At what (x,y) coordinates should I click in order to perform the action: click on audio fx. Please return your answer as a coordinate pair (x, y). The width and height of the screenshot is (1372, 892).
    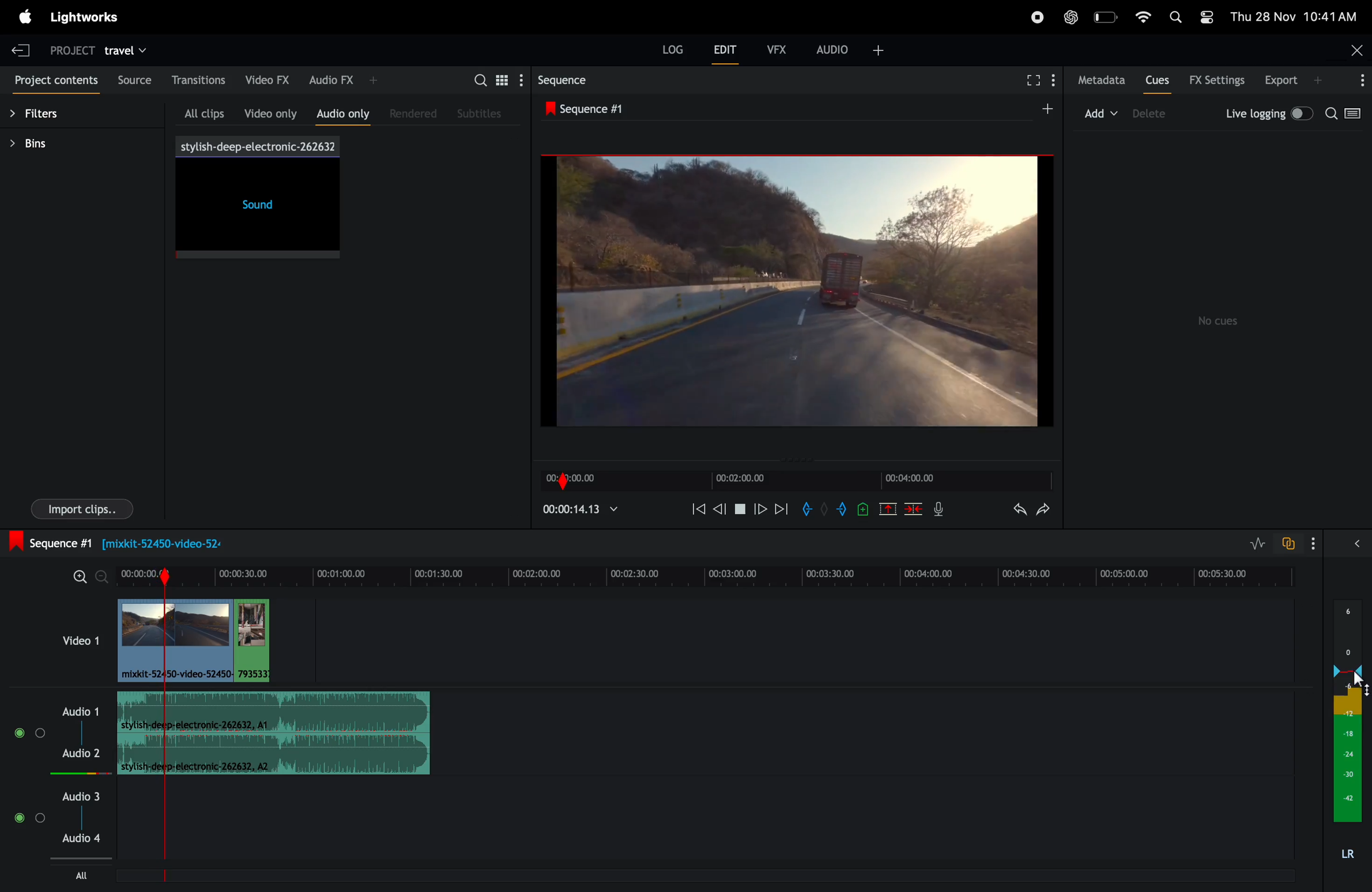
    Looking at the image, I should click on (342, 80).